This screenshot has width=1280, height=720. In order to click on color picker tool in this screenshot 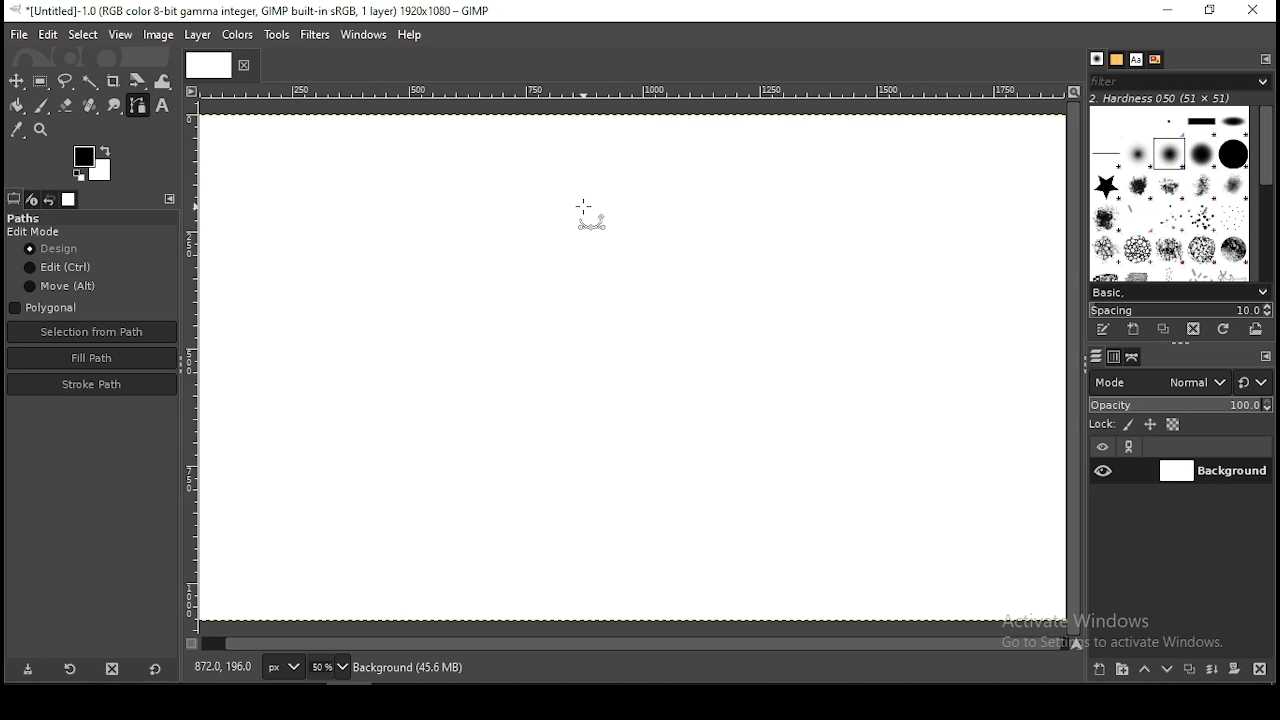, I will do `click(18, 130)`.